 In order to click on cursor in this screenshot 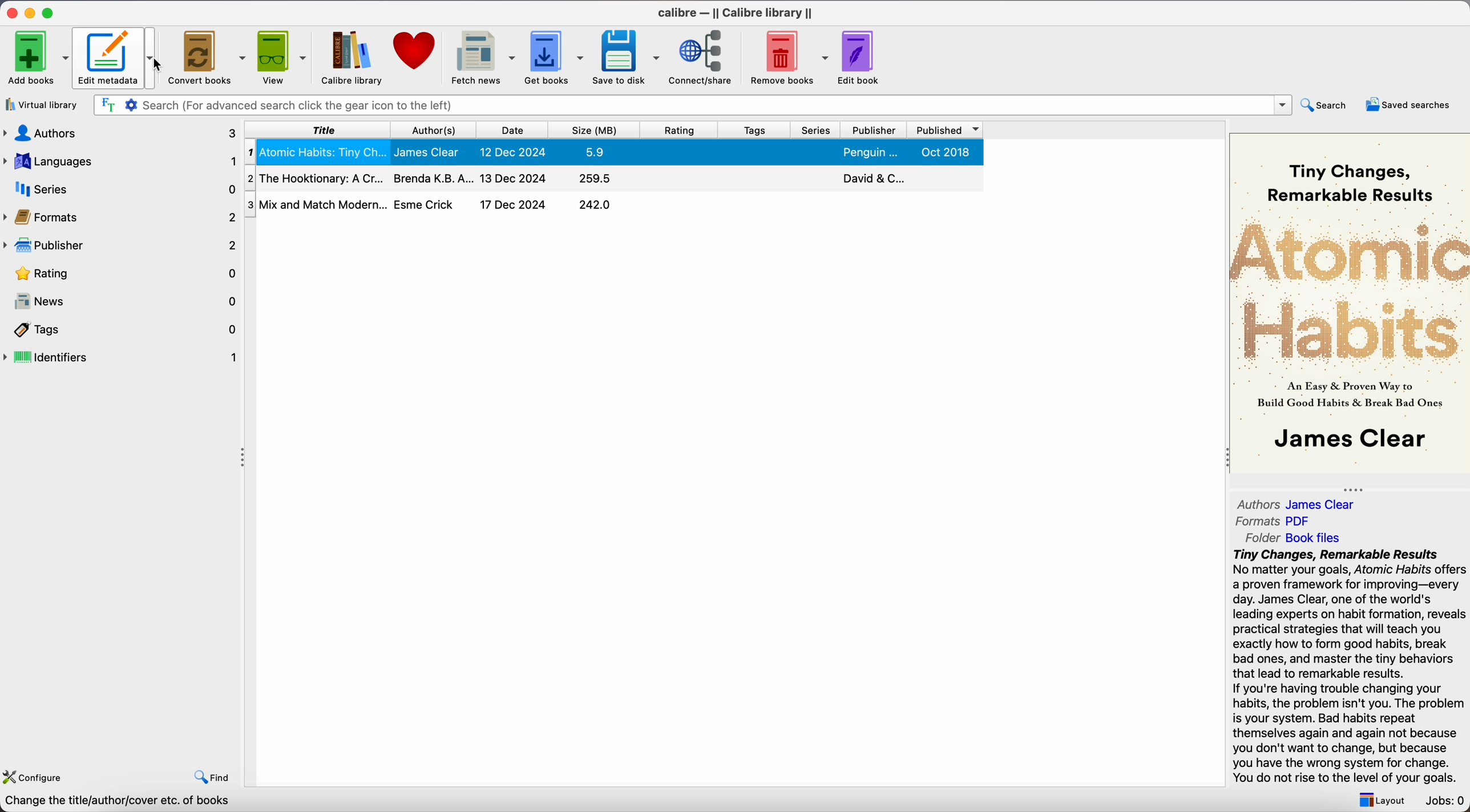, I will do `click(157, 65)`.